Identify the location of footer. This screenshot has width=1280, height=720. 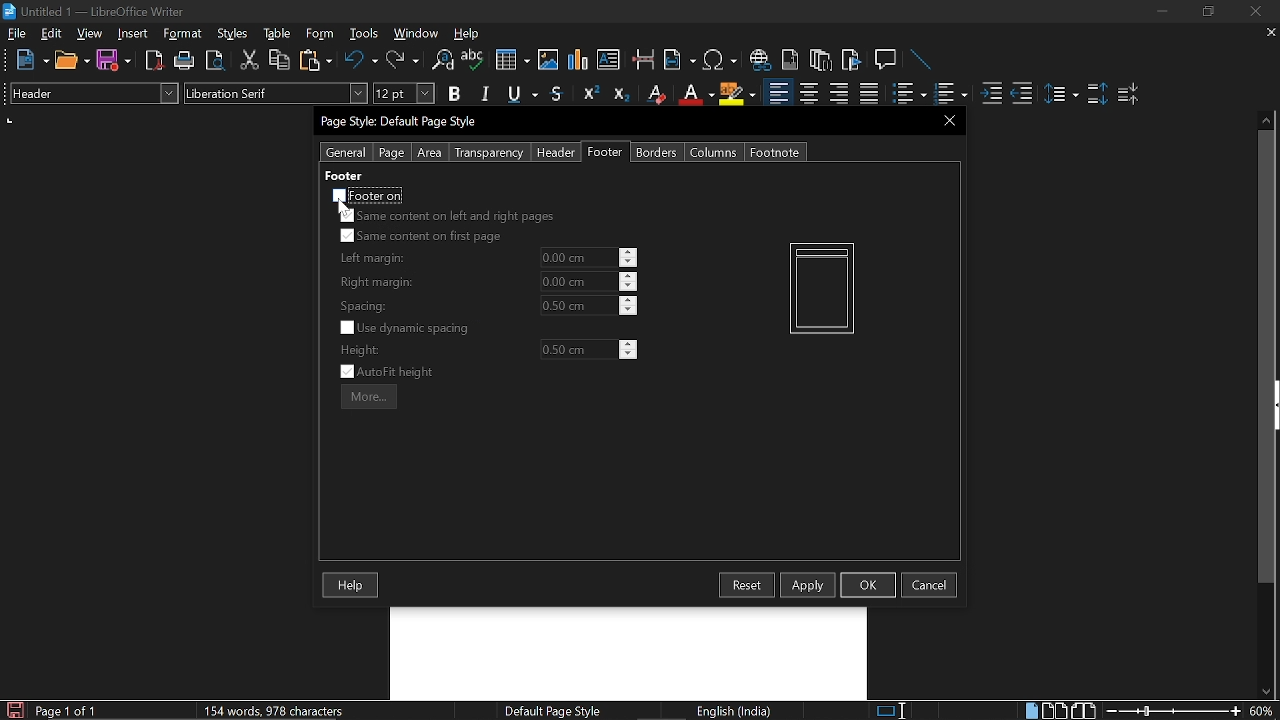
(343, 175).